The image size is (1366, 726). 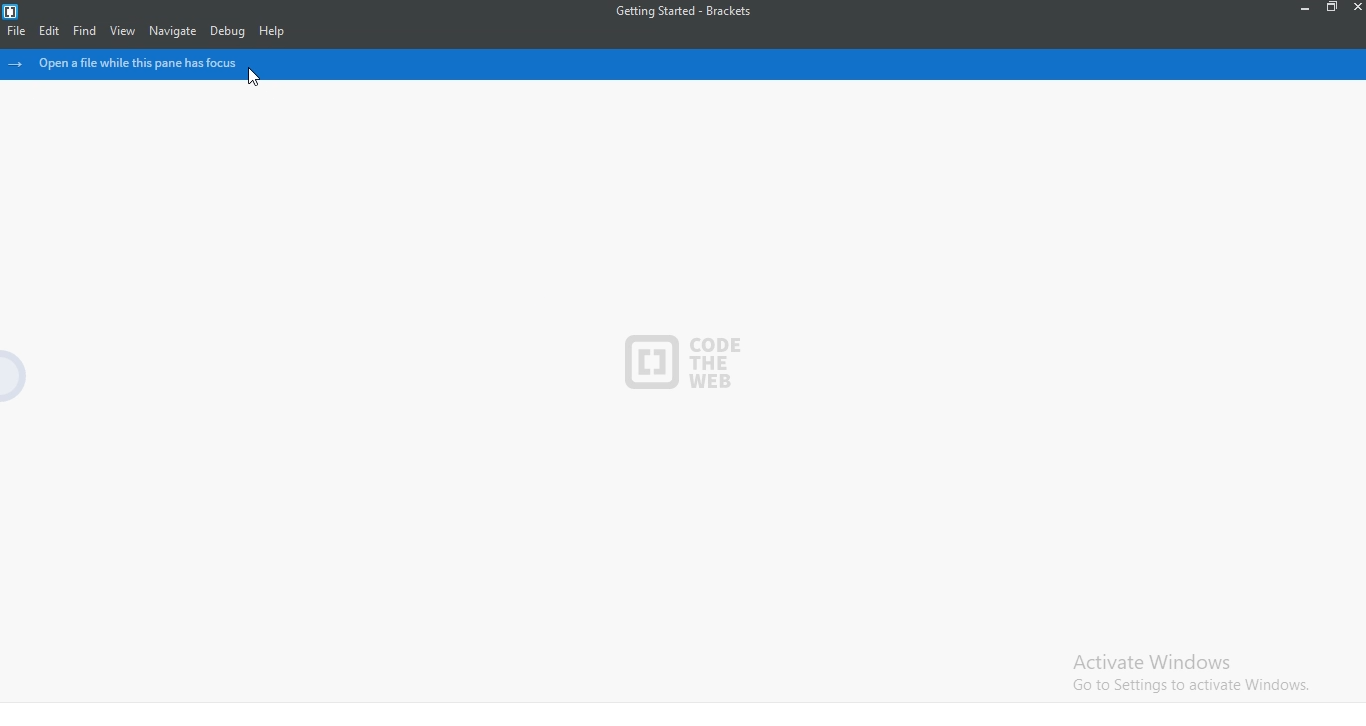 I want to click on Close, so click(x=1356, y=8).